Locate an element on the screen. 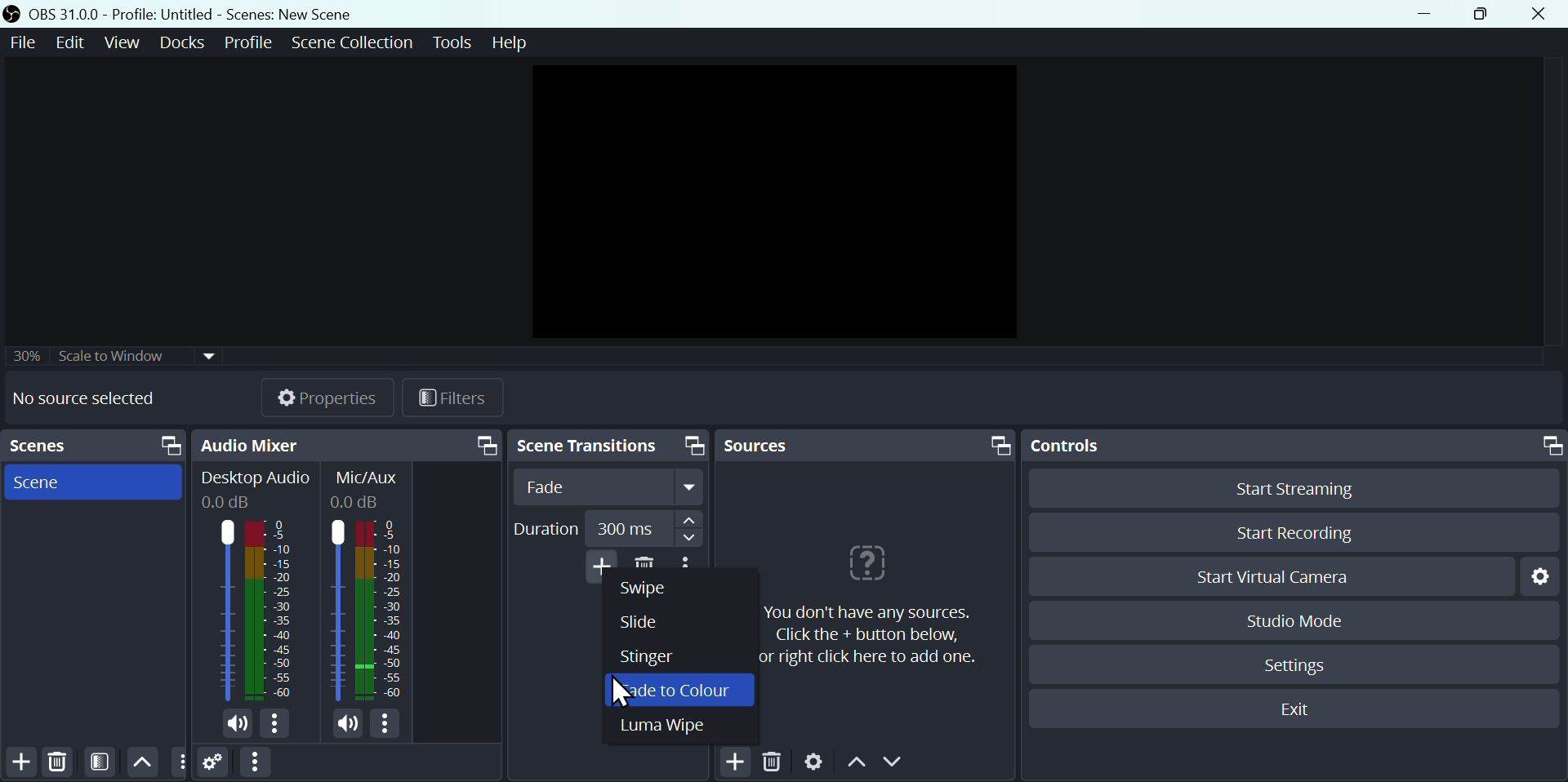 Image resolution: width=1568 pixels, height=782 pixels. up is located at coordinates (857, 766).